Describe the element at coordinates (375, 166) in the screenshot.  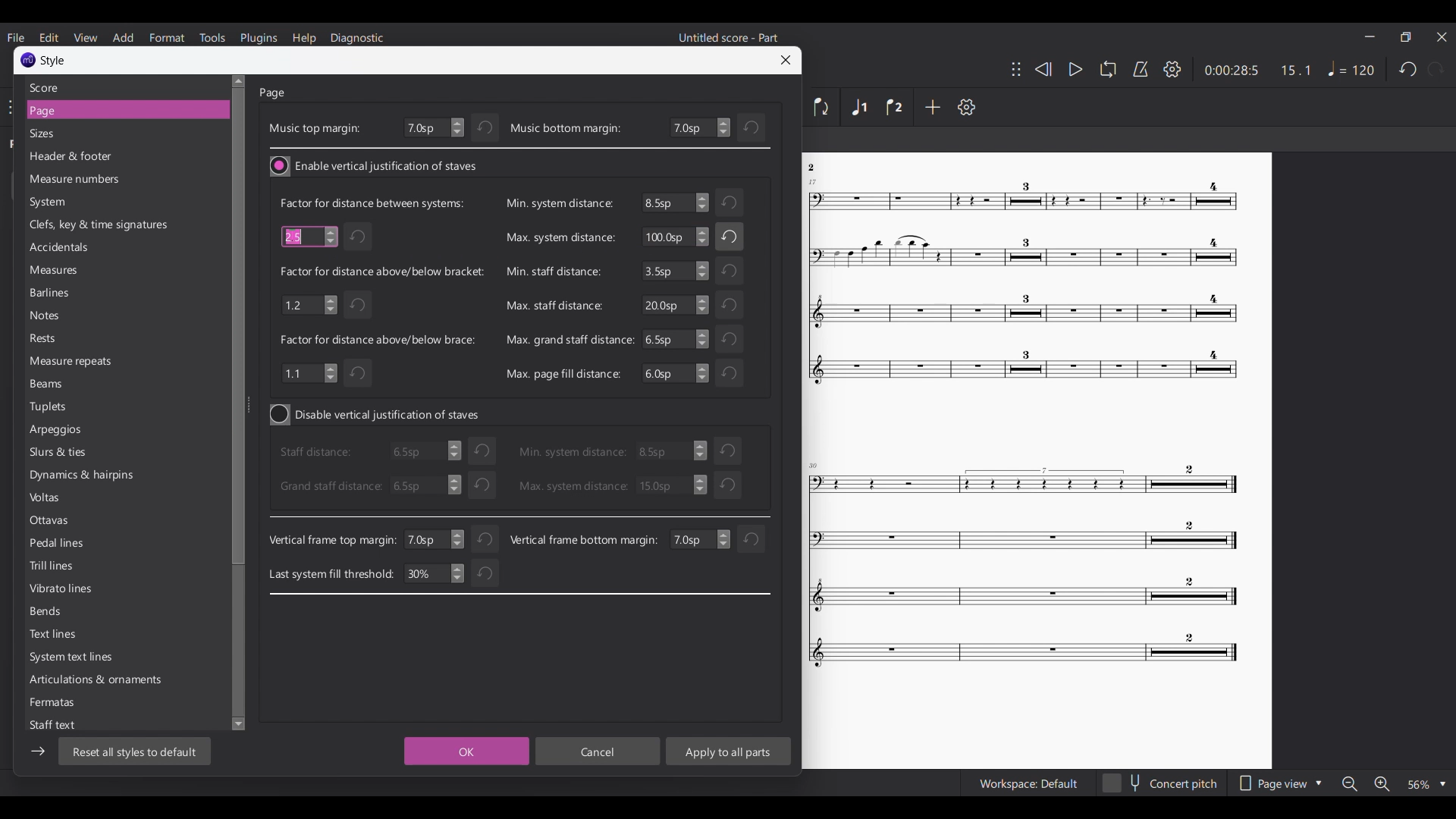
I see `Toggle for vertical justification` at that location.